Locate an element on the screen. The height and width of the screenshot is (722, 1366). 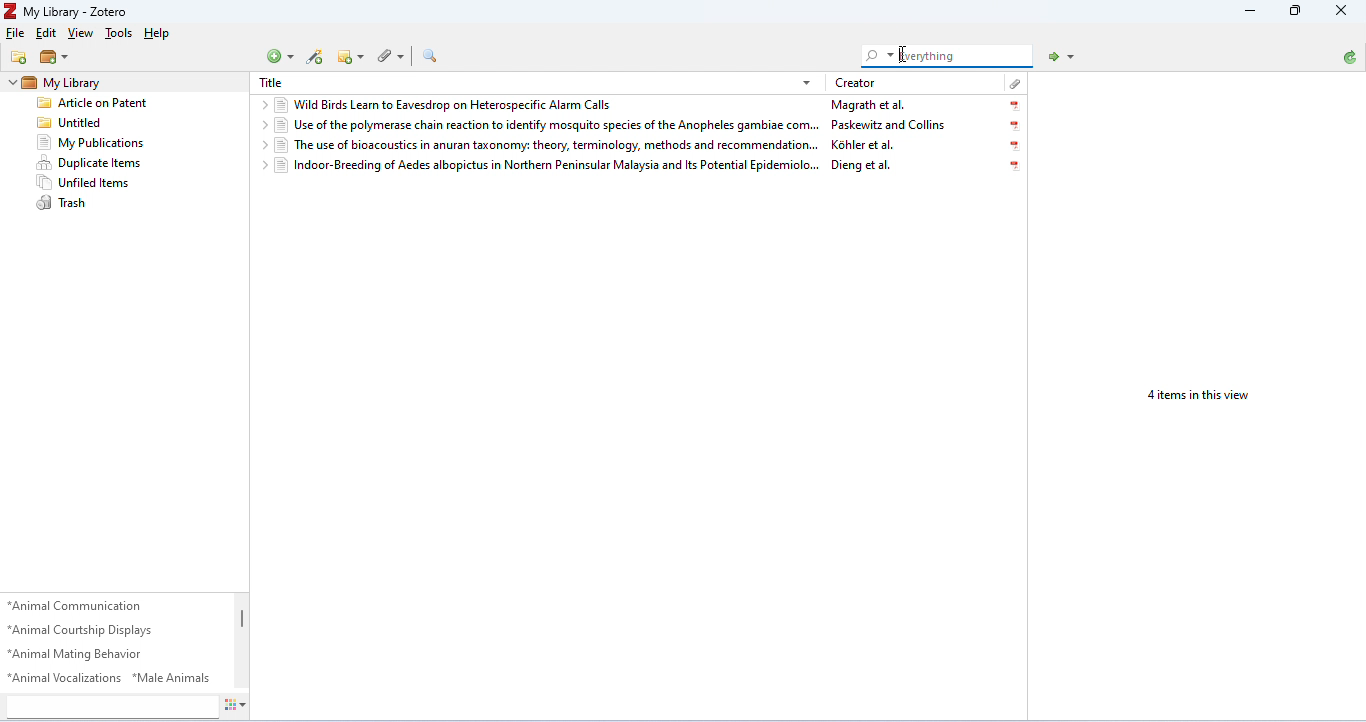
[4 Untitled is located at coordinates (104, 121).